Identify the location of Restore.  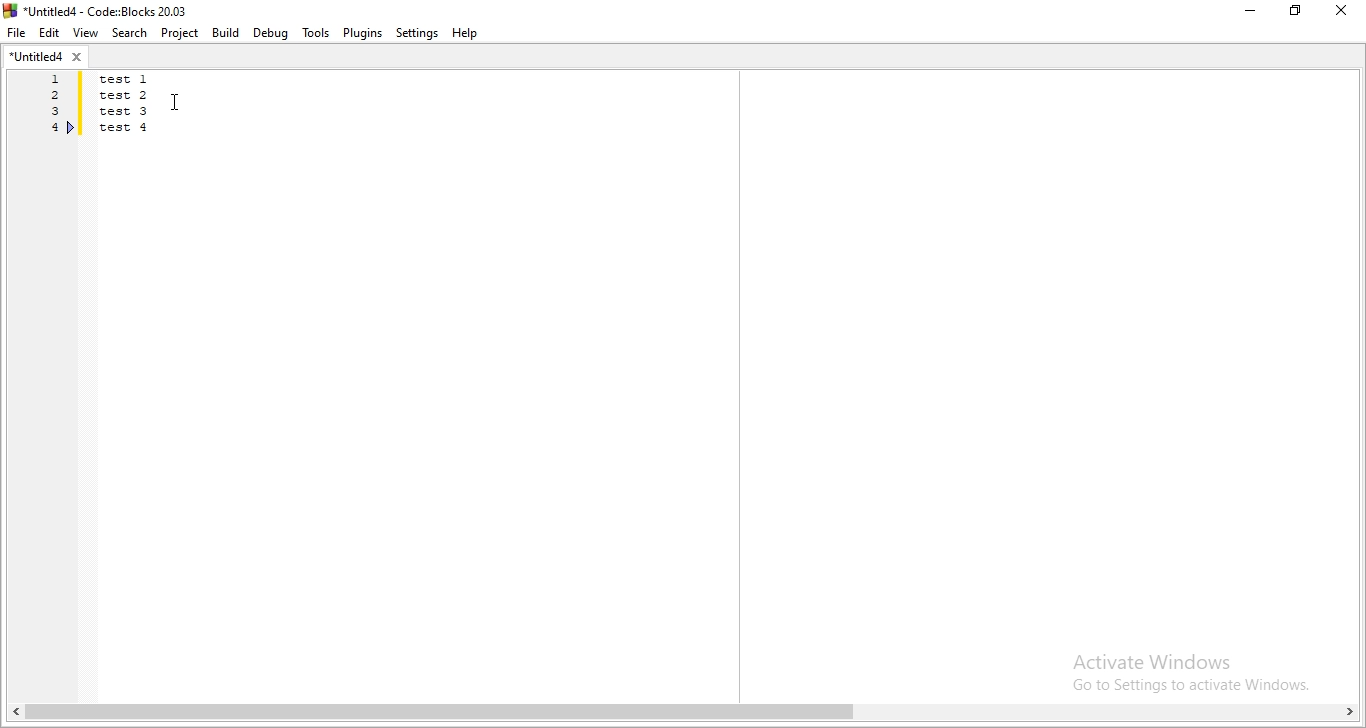
(1297, 14).